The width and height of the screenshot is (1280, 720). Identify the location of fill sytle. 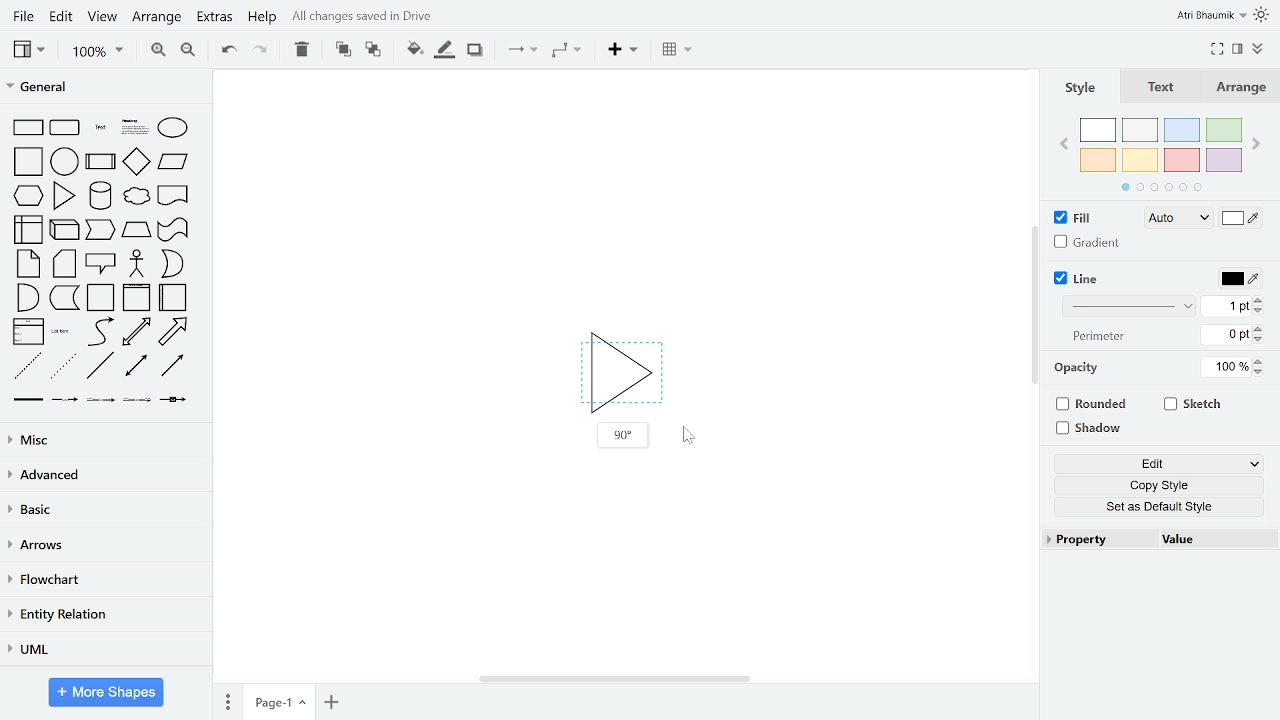
(1176, 219).